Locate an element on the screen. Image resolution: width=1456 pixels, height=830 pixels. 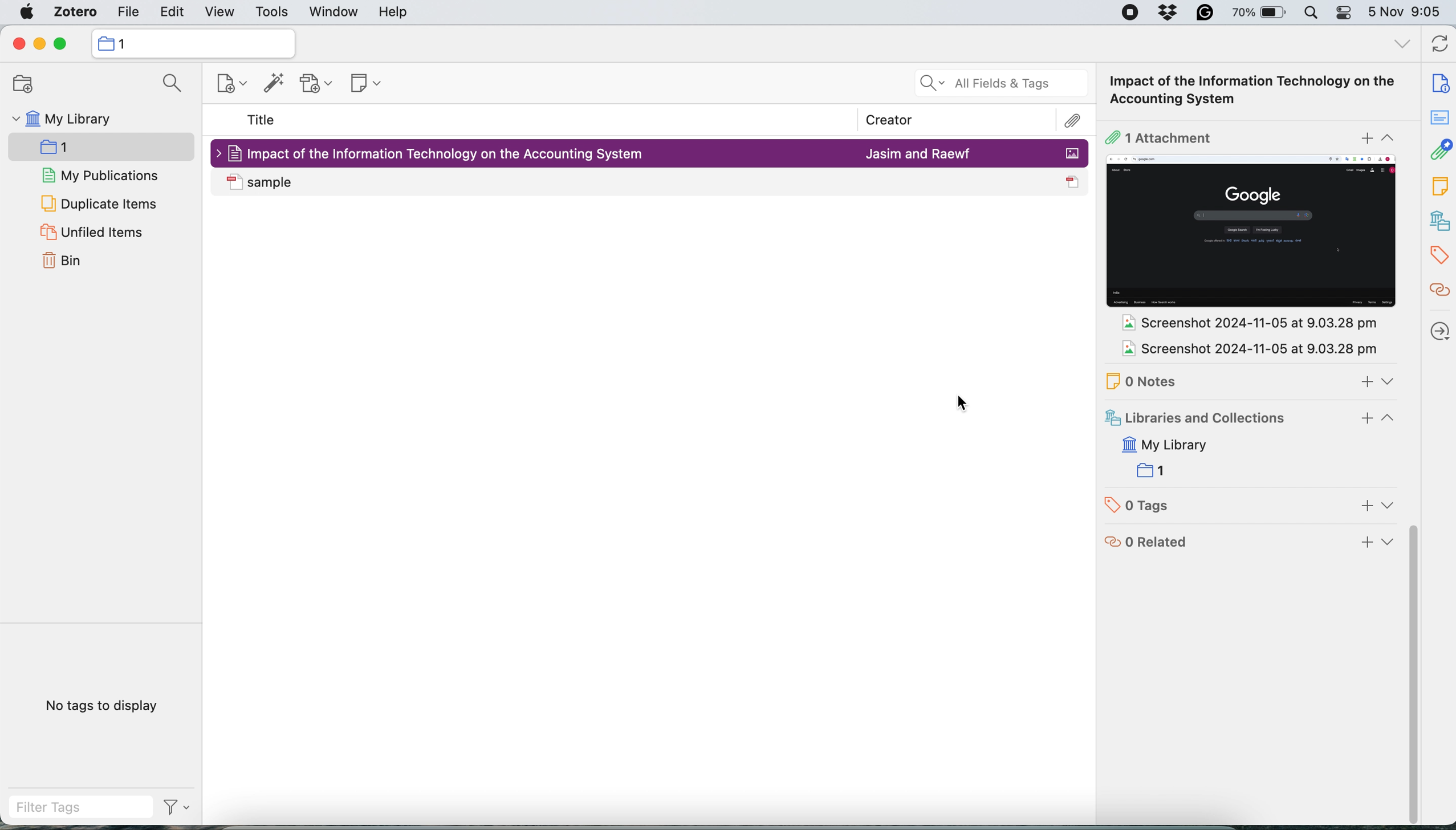
vertical scroll bar is located at coordinates (1416, 678).